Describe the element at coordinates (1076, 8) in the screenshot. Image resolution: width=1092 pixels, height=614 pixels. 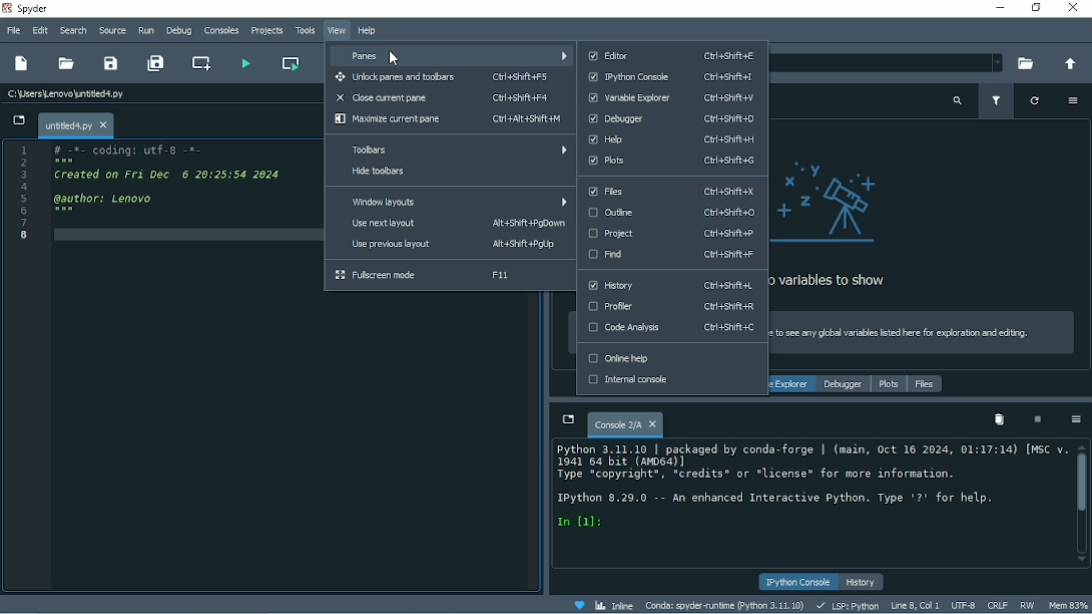
I see `Close` at that location.